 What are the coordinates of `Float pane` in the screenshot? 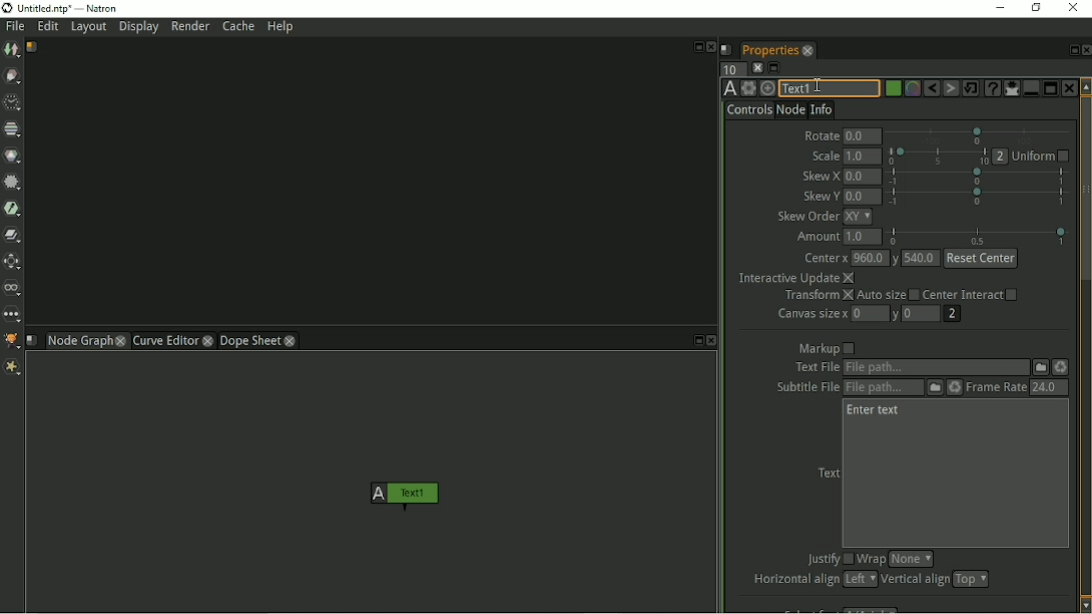 It's located at (695, 341).